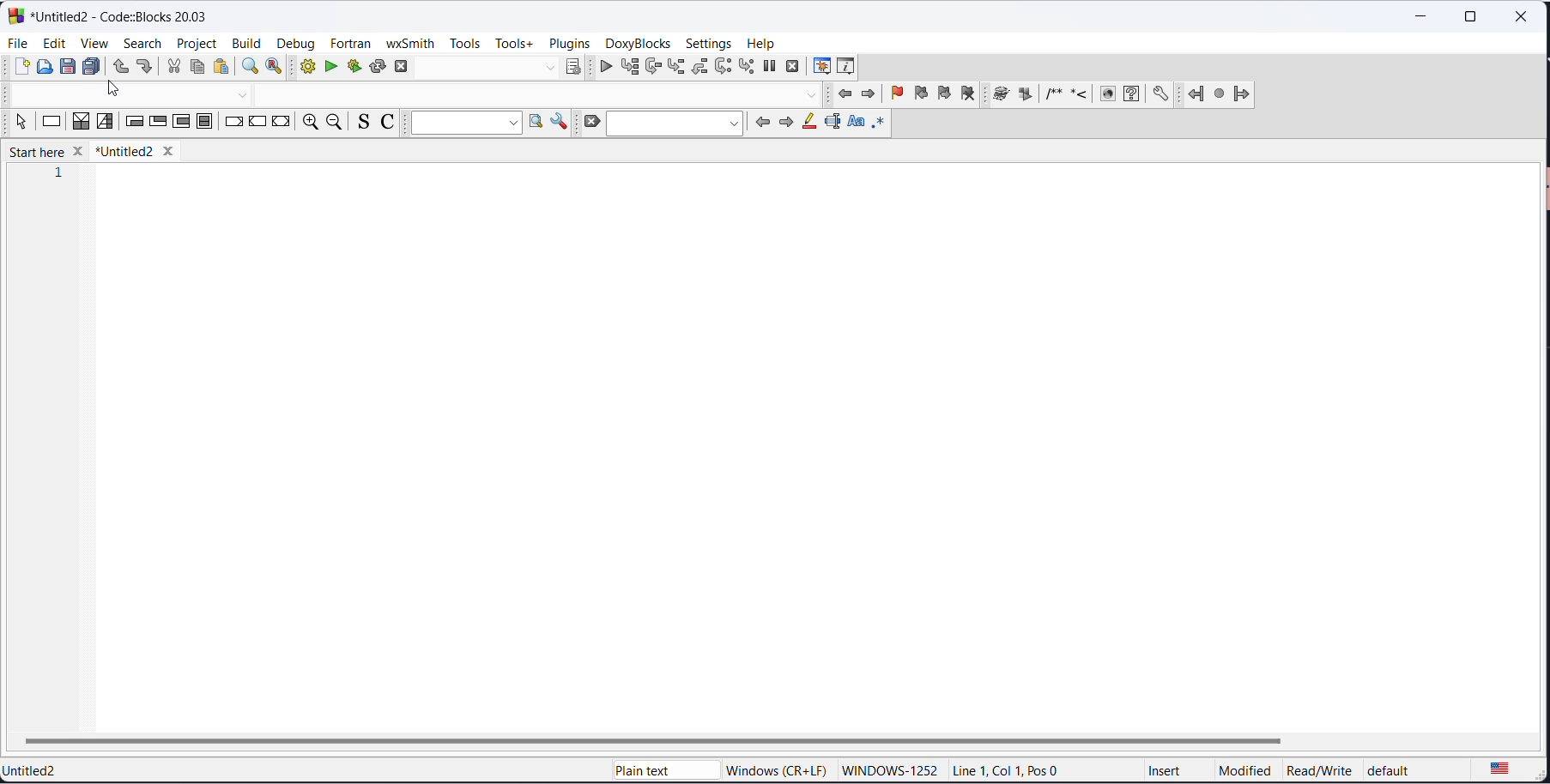 The image size is (1550, 784). Describe the element at coordinates (1239, 770) in the screenshot. I see `modified` at that location.